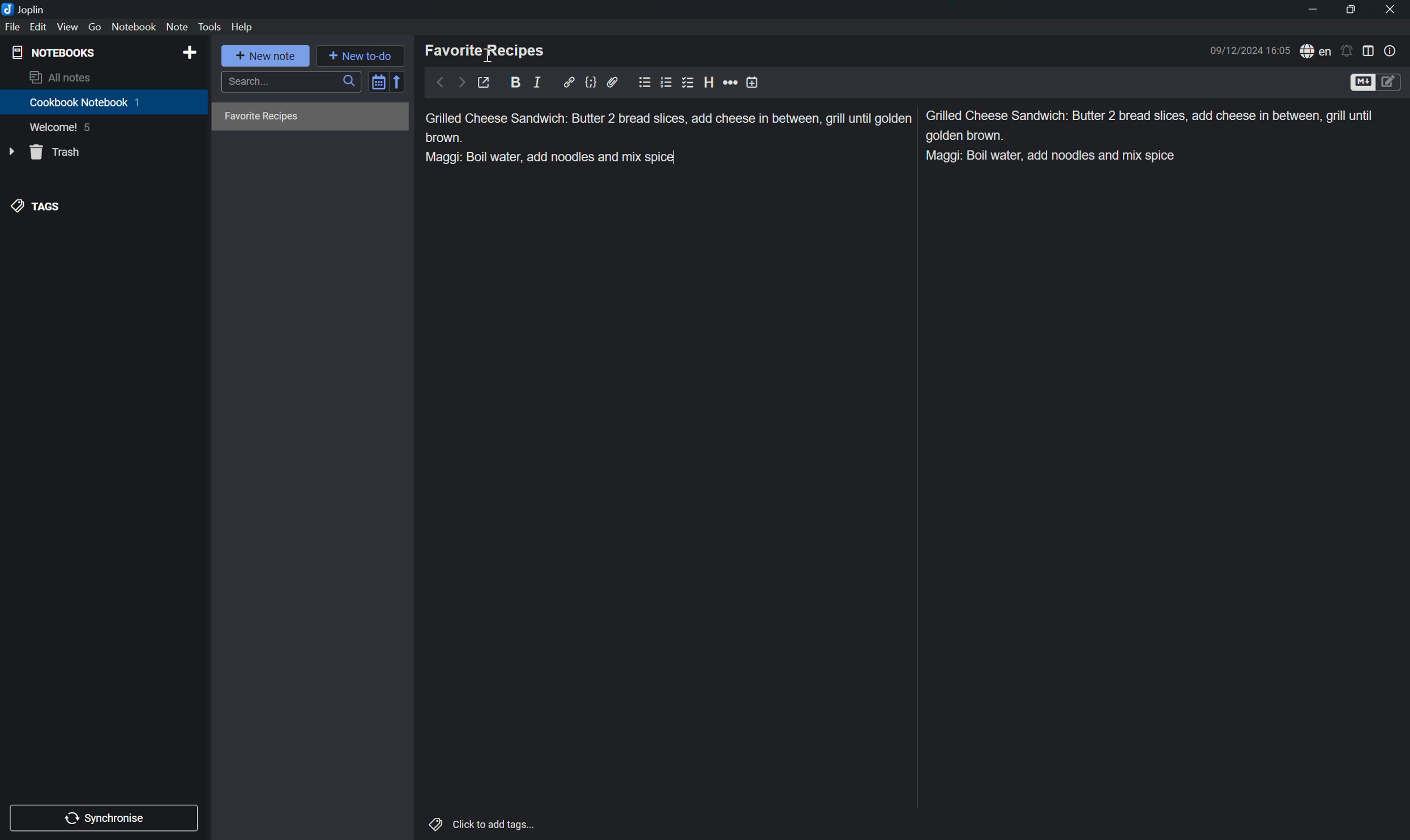 This screenshot has height=840, width=1410. Describe the element at coordinates (489, 57) in the screenshot. I see `Cursor` at that location.